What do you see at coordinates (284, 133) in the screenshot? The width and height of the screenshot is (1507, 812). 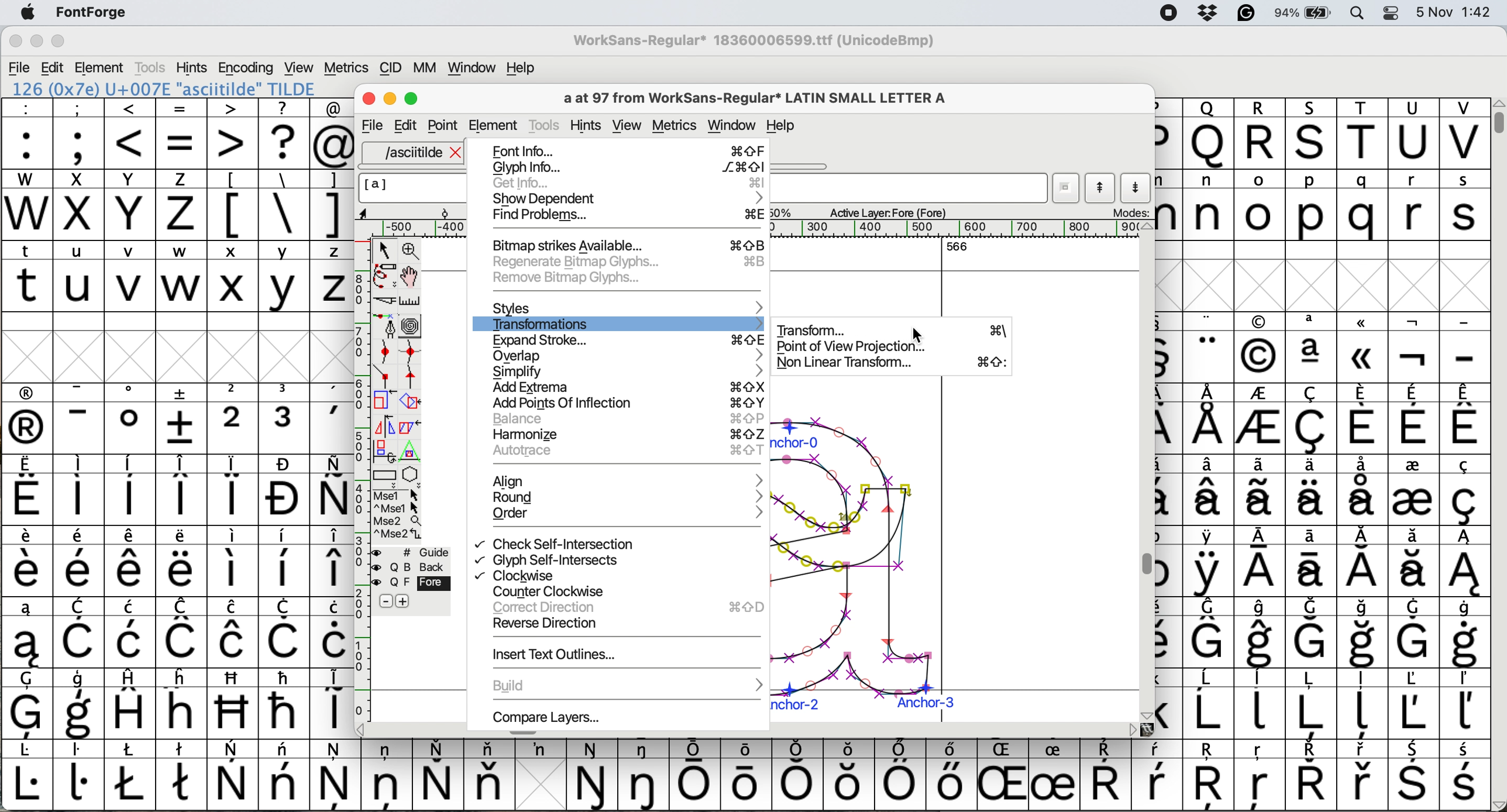 I see `?` at bounding box center [284, 133].